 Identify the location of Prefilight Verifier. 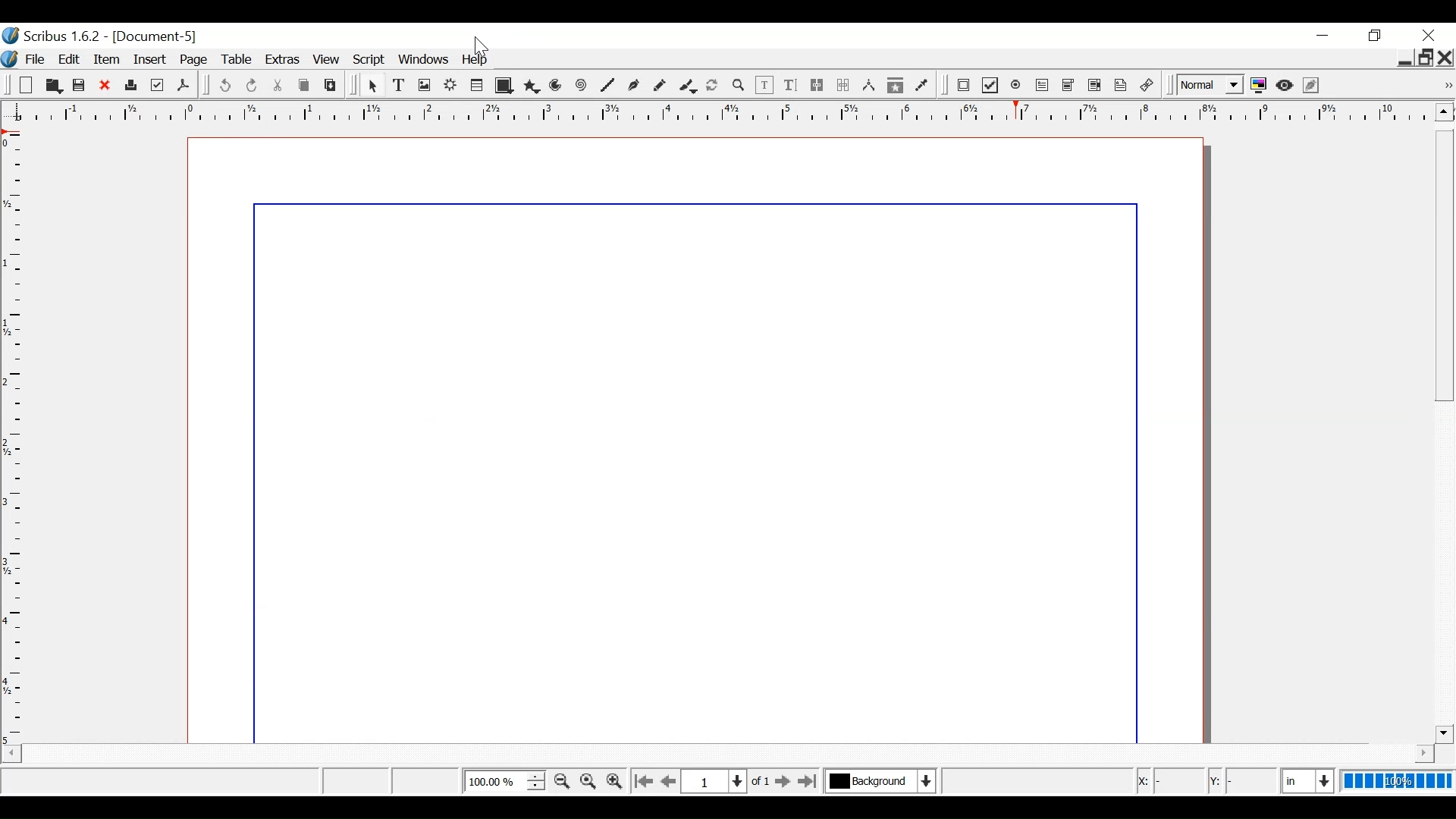
(157, 86).